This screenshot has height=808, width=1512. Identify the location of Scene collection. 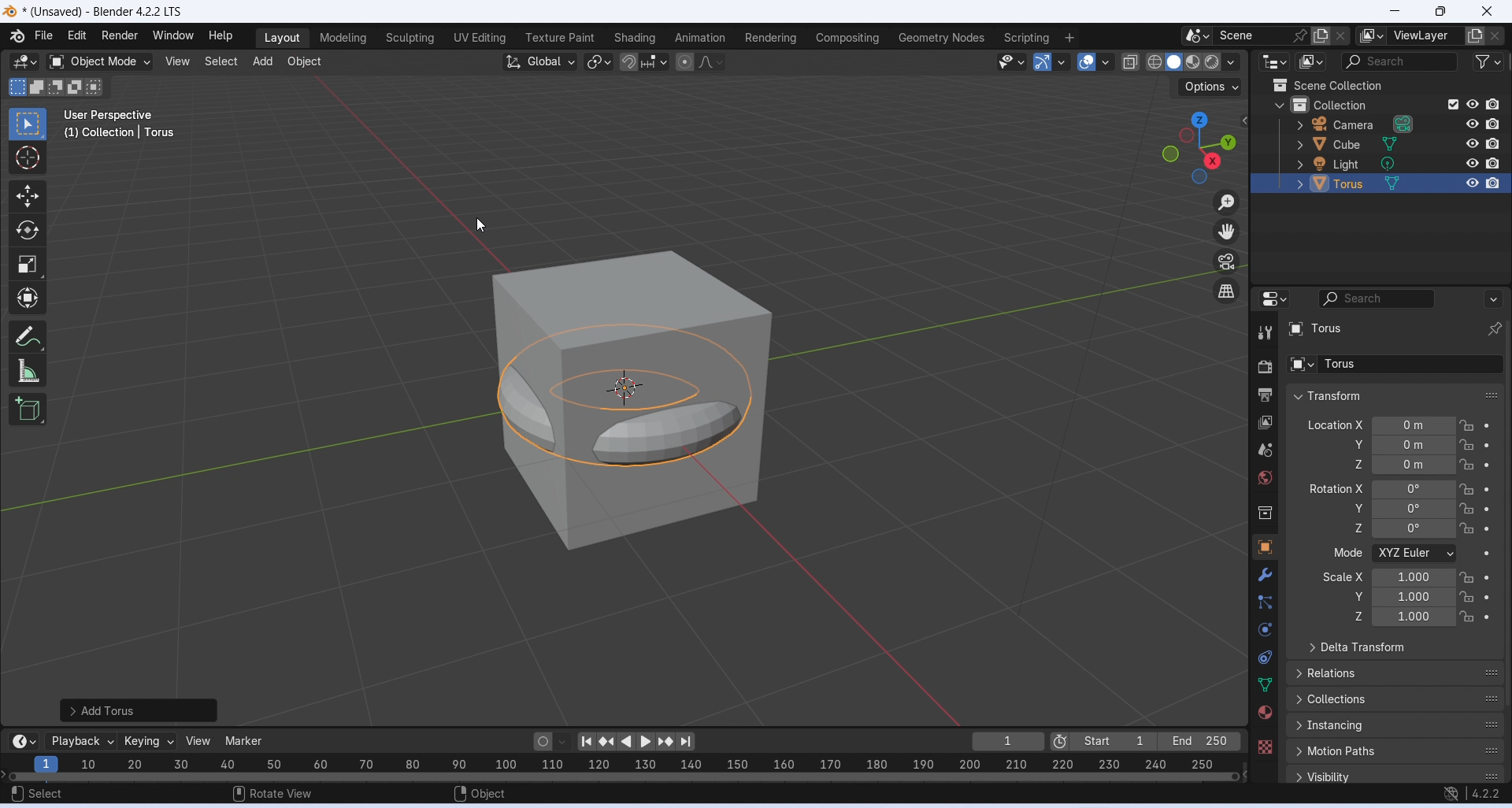
(1325, 85).